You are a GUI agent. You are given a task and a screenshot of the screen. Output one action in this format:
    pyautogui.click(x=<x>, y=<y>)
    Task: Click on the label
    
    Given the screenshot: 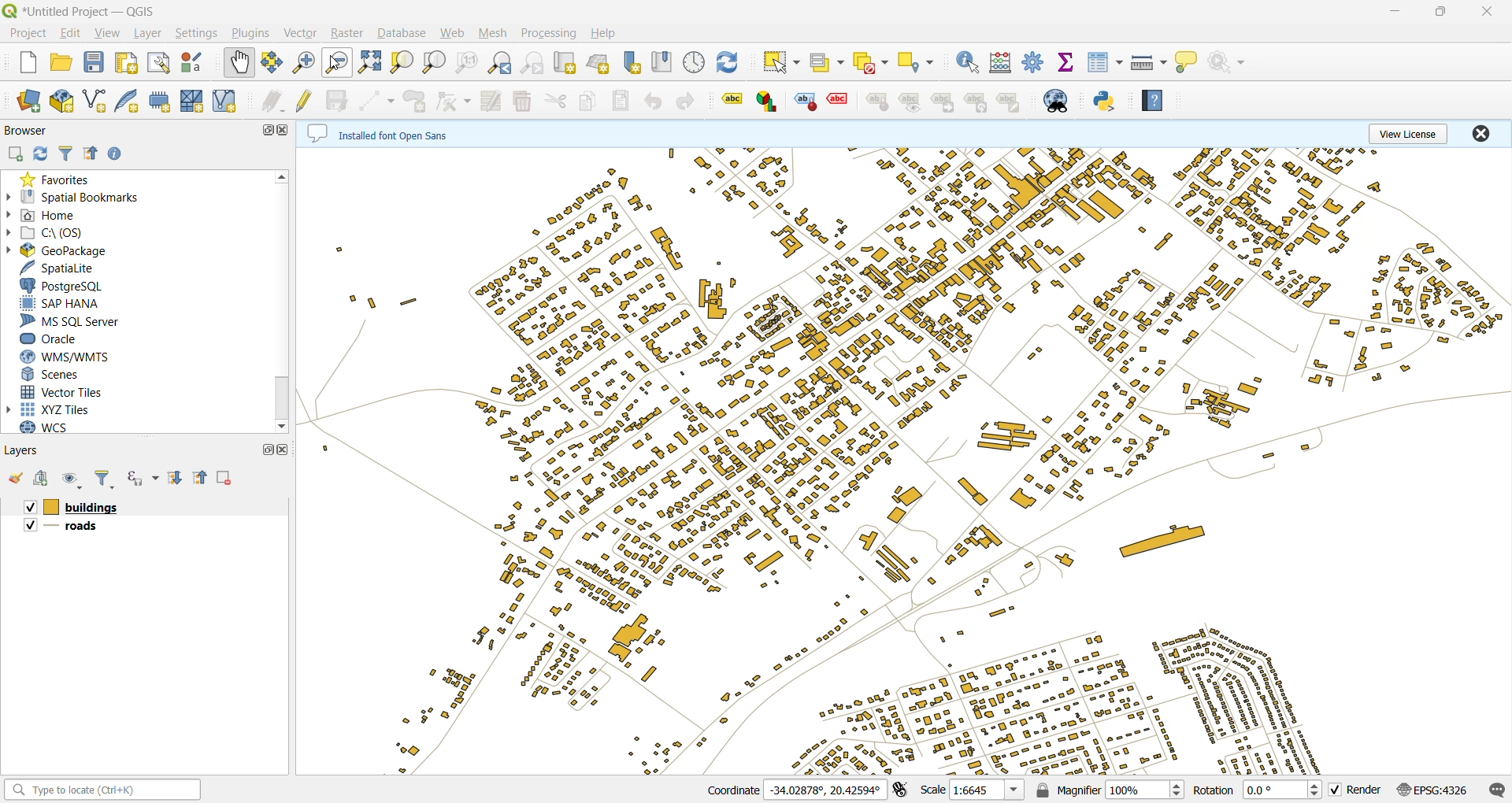 What is the action you would take?
    pyautogui.click(x=768, y=103)
    